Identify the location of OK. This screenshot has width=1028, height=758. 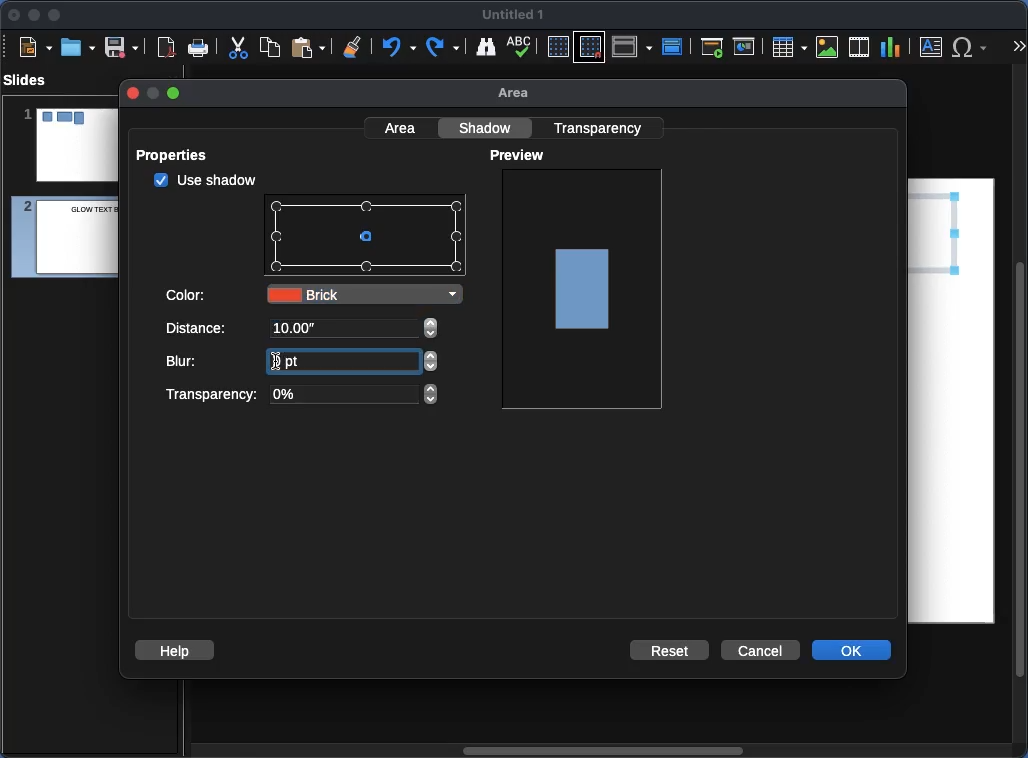
(853, 649).